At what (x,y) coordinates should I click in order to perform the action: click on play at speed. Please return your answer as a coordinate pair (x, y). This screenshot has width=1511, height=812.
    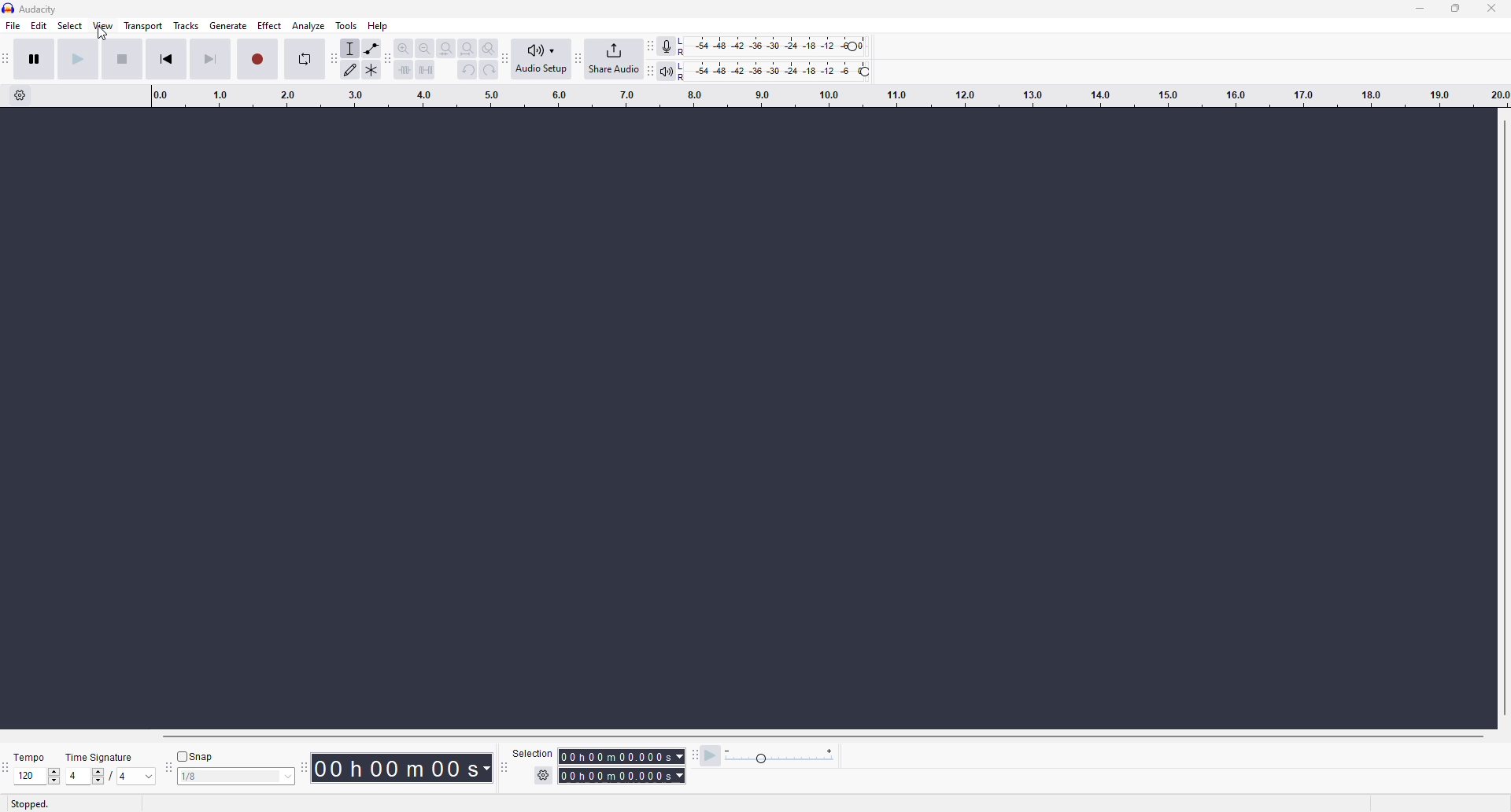
    Looking at the image, I should click on (709, 756).